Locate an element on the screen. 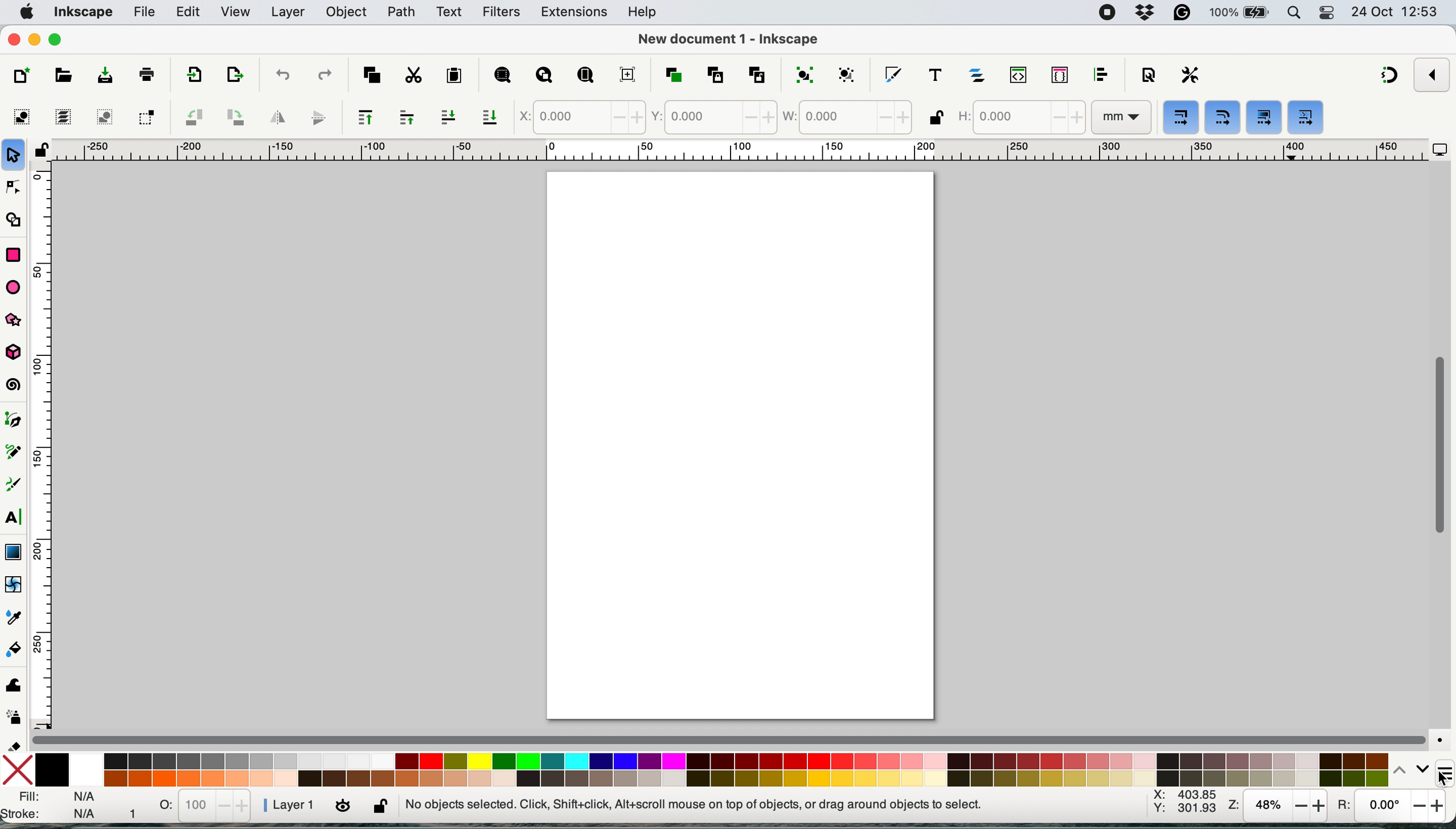  node tool is located at coordinates (16, 186).